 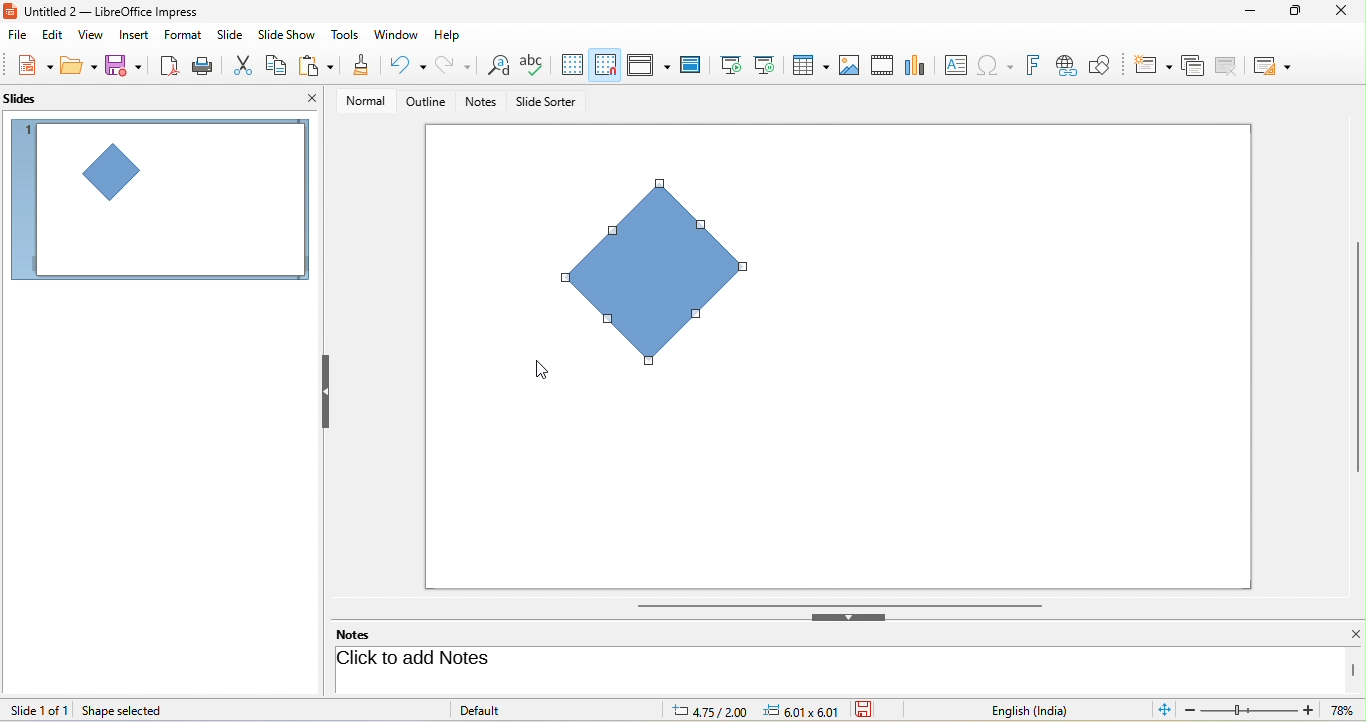 I want to click on close, so click(x=1339, y=12).